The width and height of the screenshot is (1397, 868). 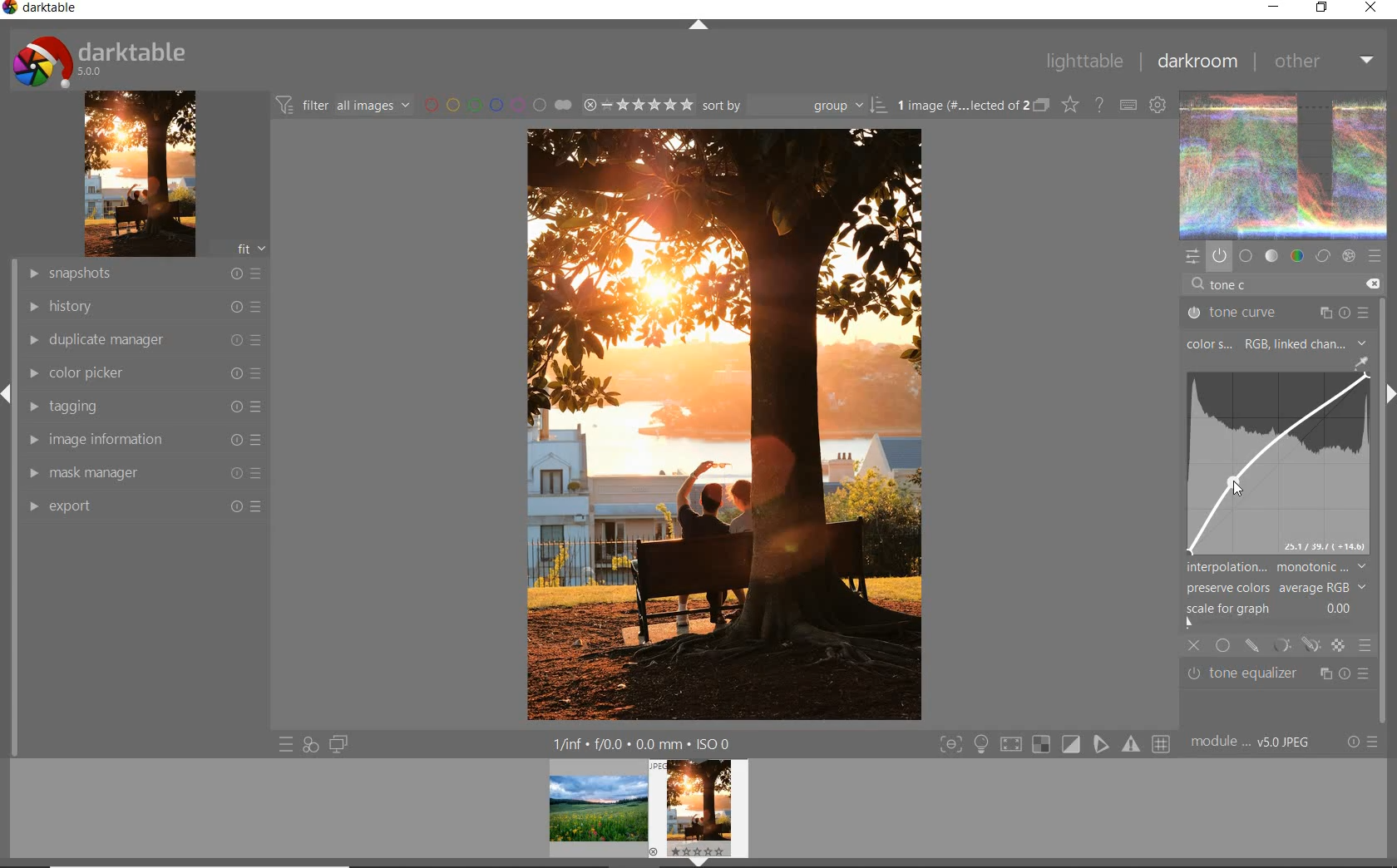 What do you see at coordinates (1298, 254) in the screenshot?
I see `color` at bounding box center [1298, 254].